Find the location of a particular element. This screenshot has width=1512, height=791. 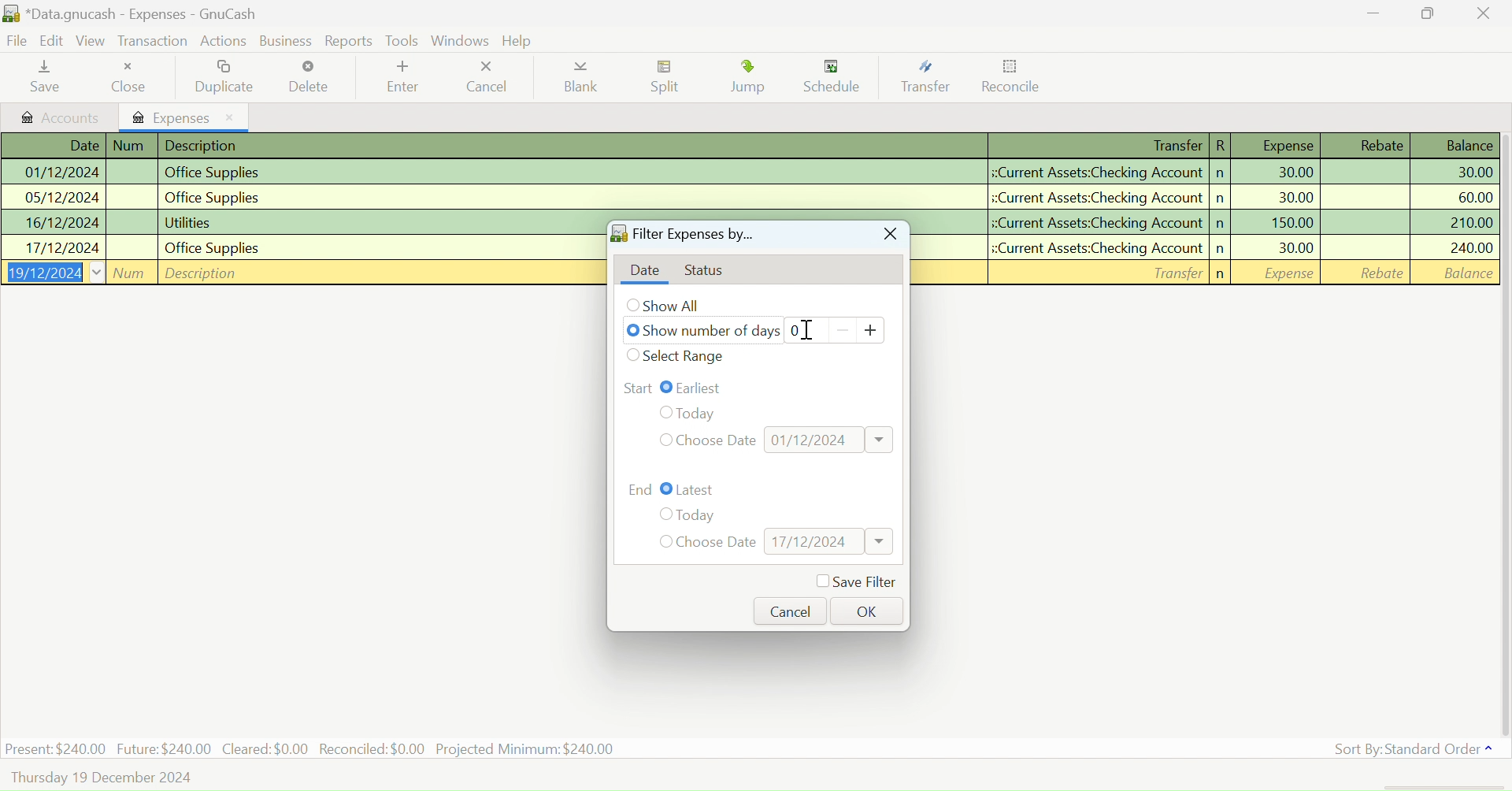

Office Supplies Transaction is located at coordinates (299, 247).